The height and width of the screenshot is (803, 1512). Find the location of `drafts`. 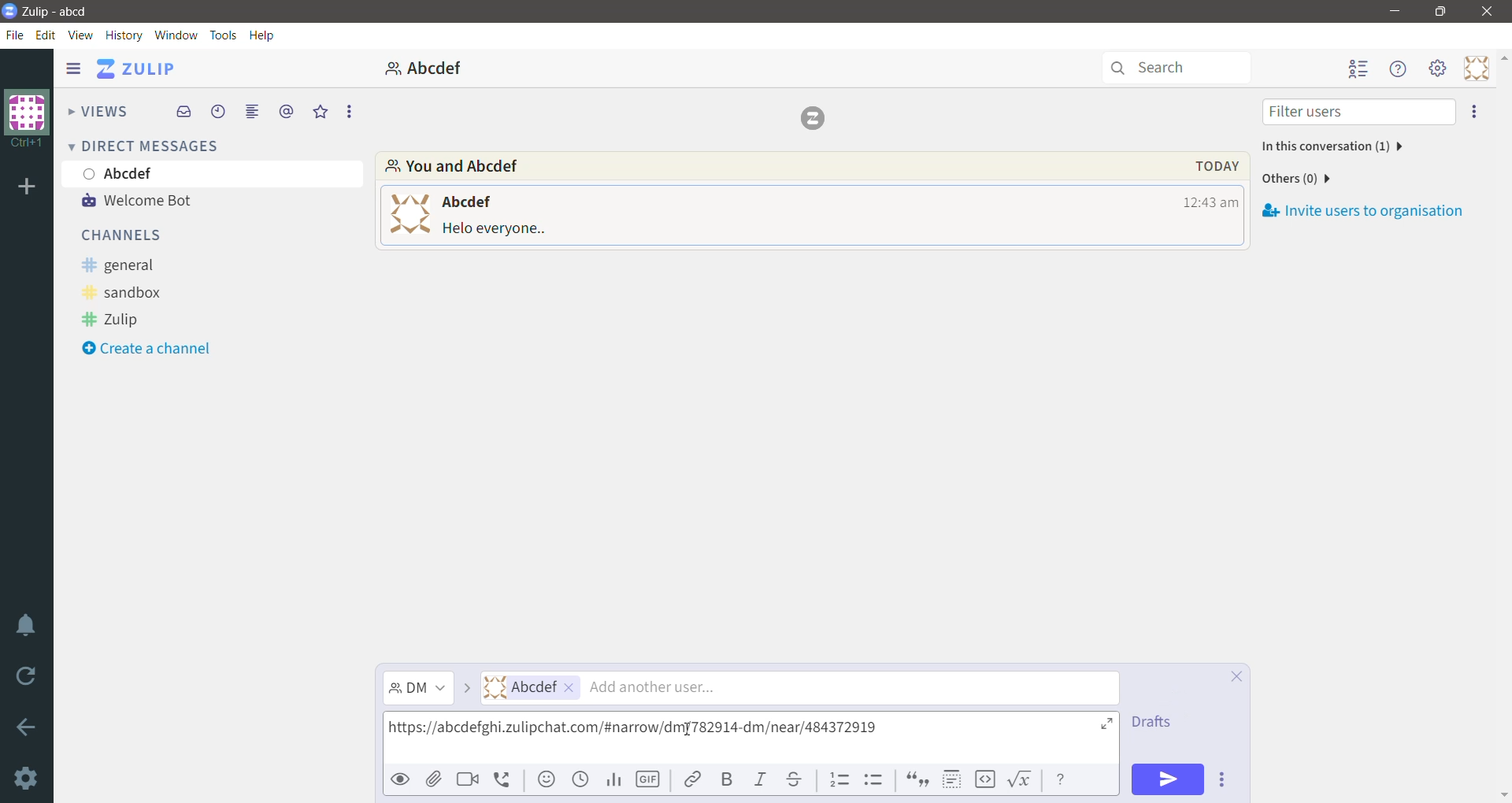

drafts is located at coordinates (1157, 726).